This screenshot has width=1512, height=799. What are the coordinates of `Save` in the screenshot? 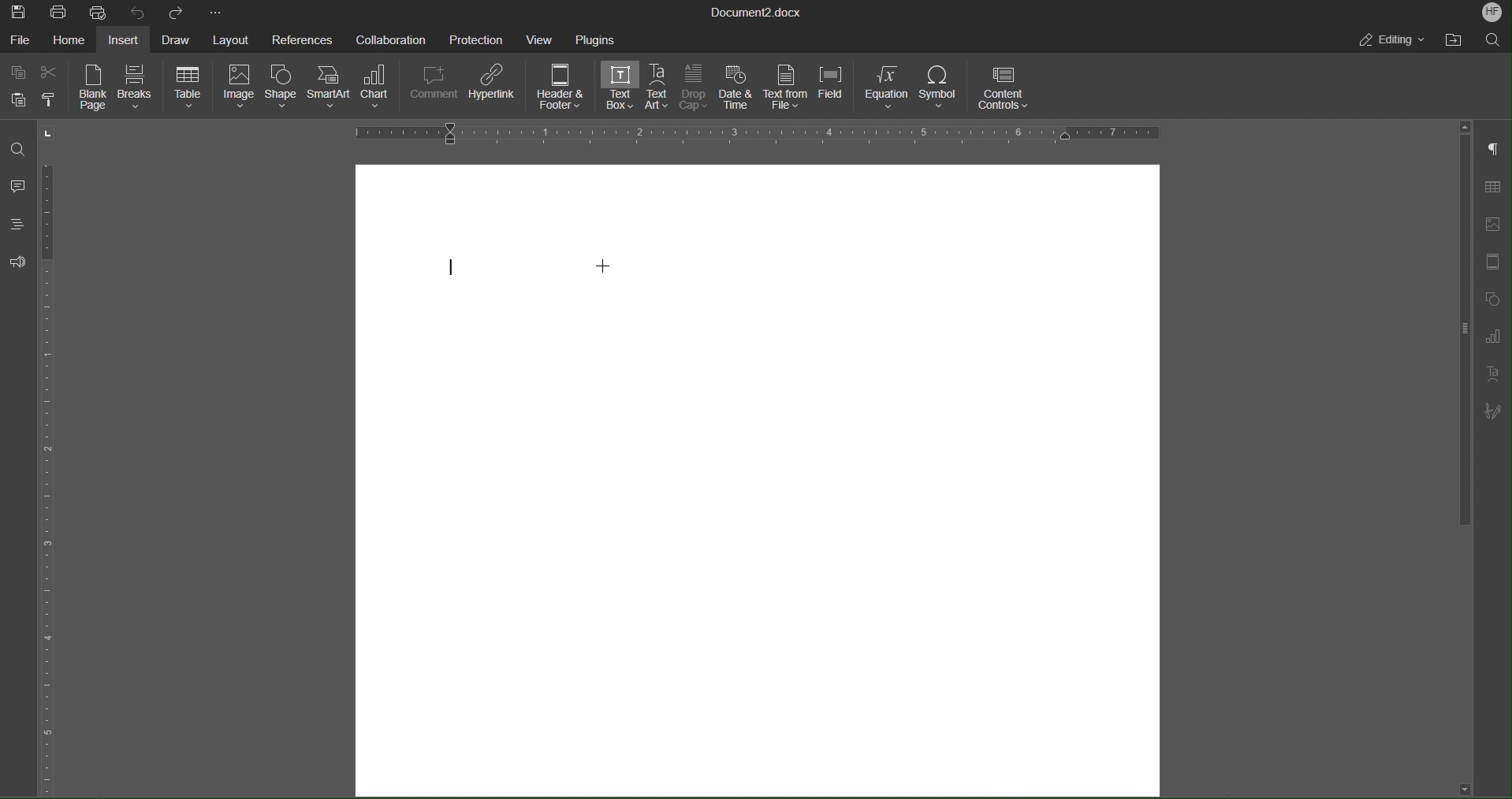 It's located at (20, 11).